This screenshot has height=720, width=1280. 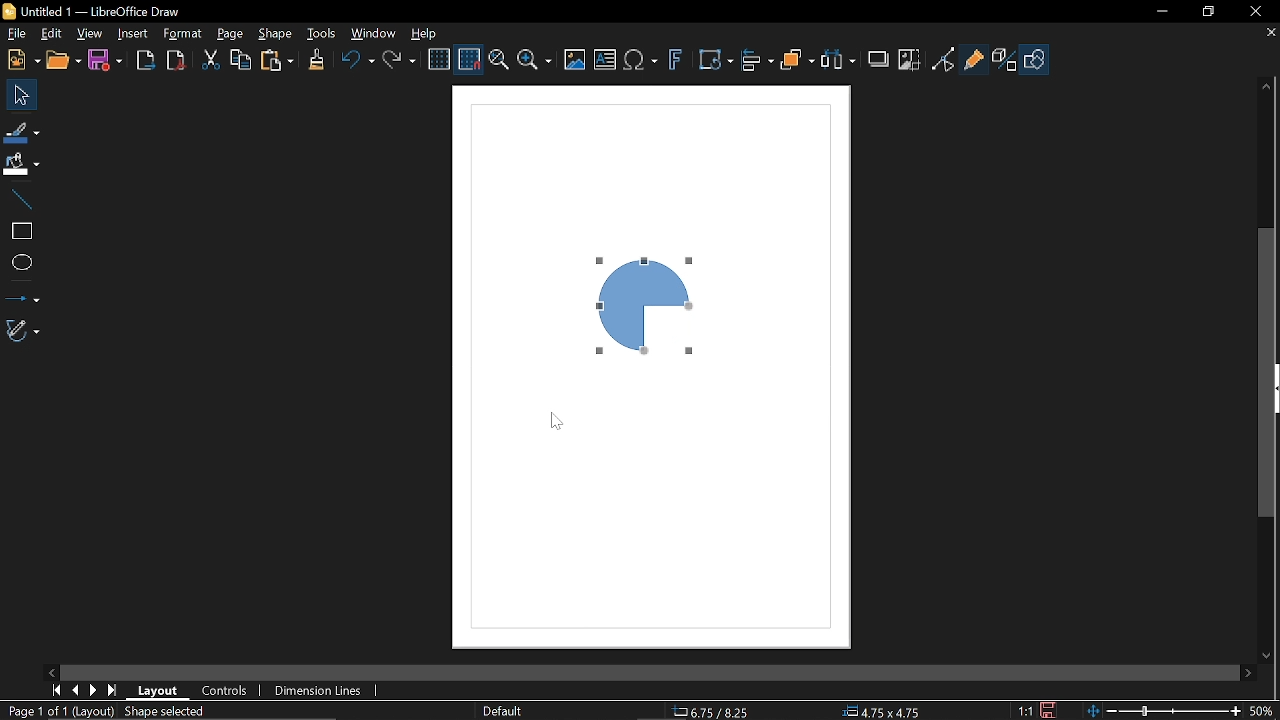 What do you see at coordinates (1268, 83) in the screenshot?
I see `Move up` at bounding box center [1268, 83].